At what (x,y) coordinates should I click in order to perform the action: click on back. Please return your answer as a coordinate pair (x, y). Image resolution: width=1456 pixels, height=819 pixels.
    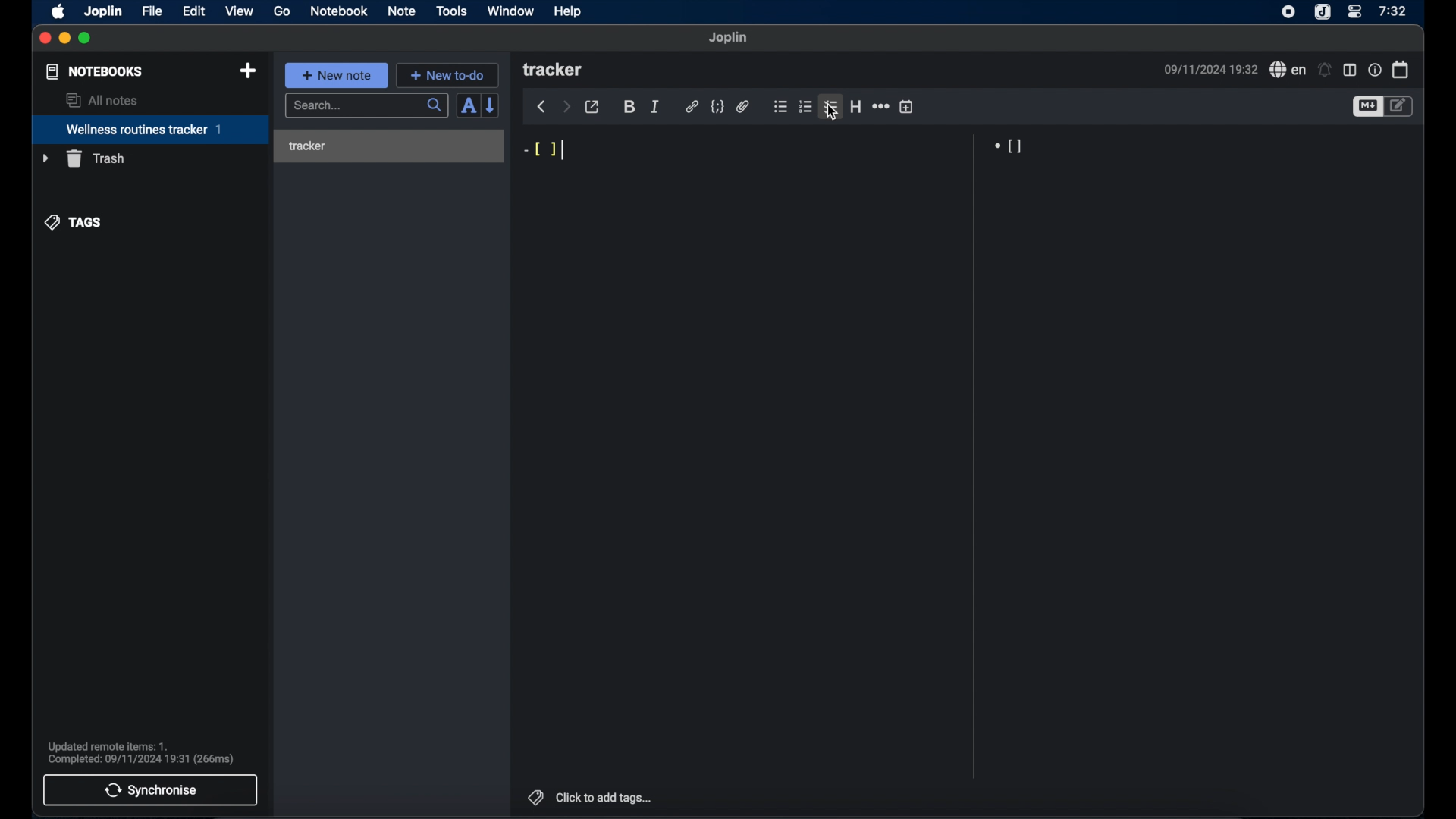
    Looking at the image, I should click on (541, 107).